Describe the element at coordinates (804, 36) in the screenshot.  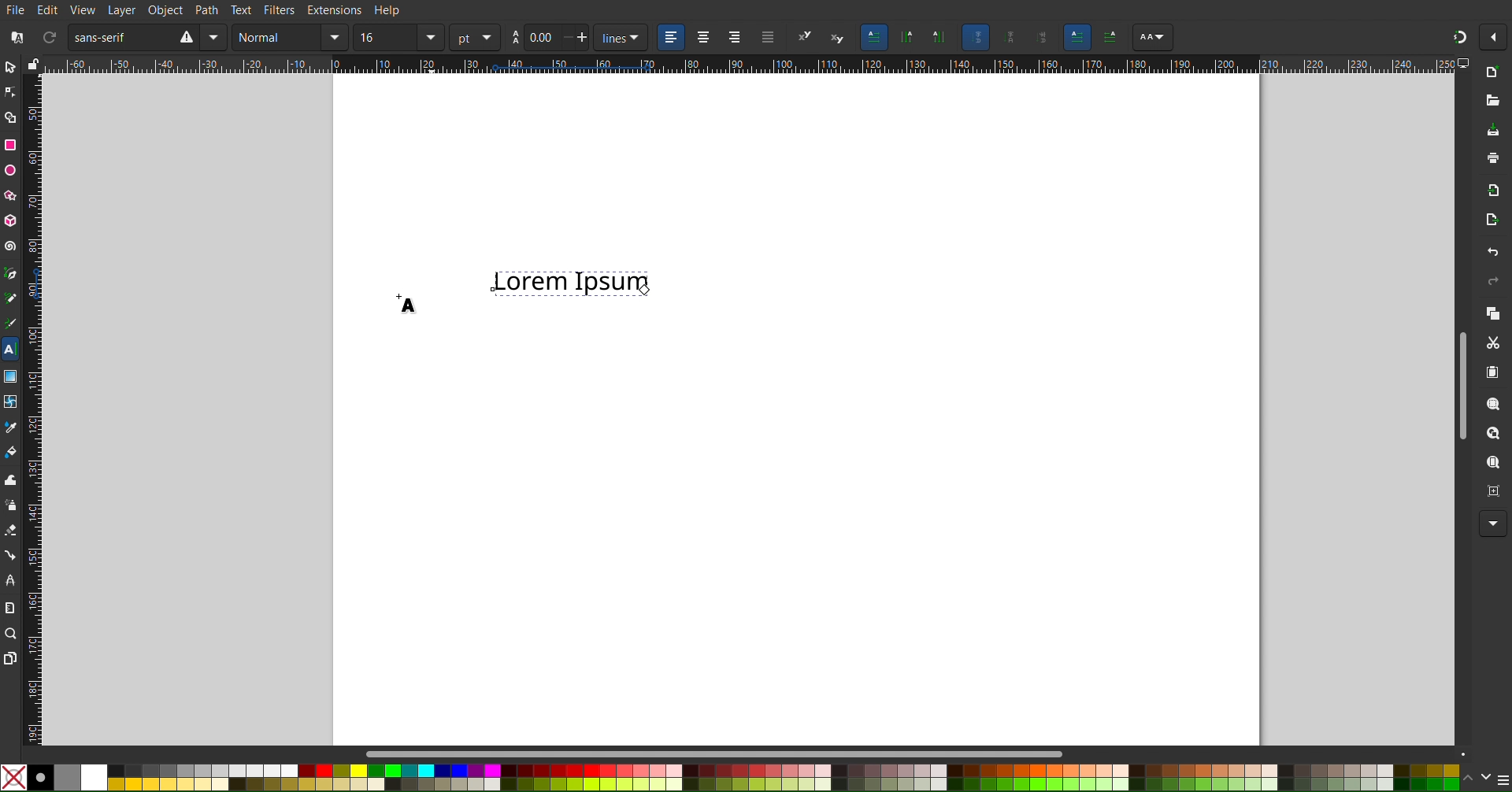
I see `superscript` at that location.